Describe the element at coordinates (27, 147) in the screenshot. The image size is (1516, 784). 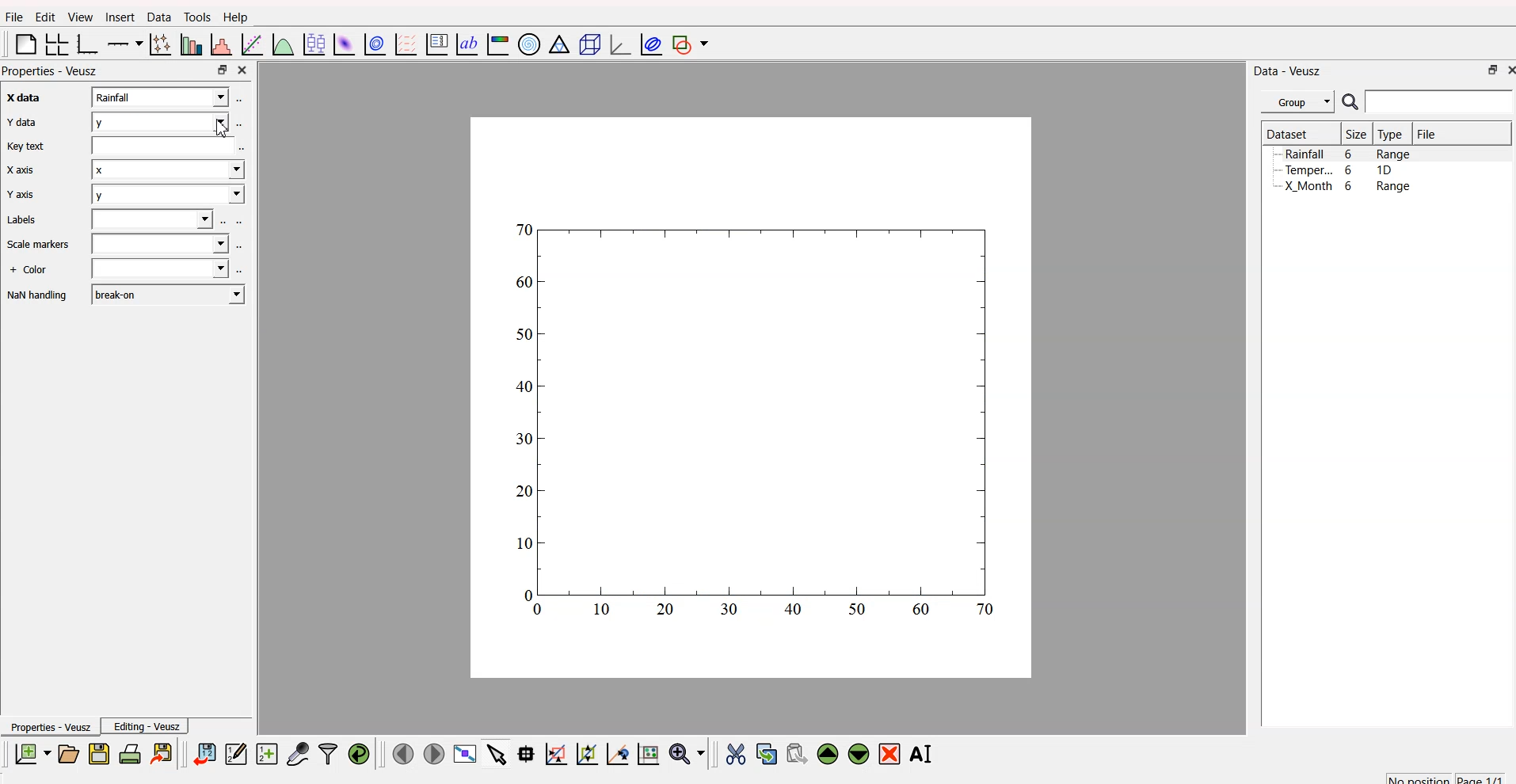
I see `Key text` at that location.